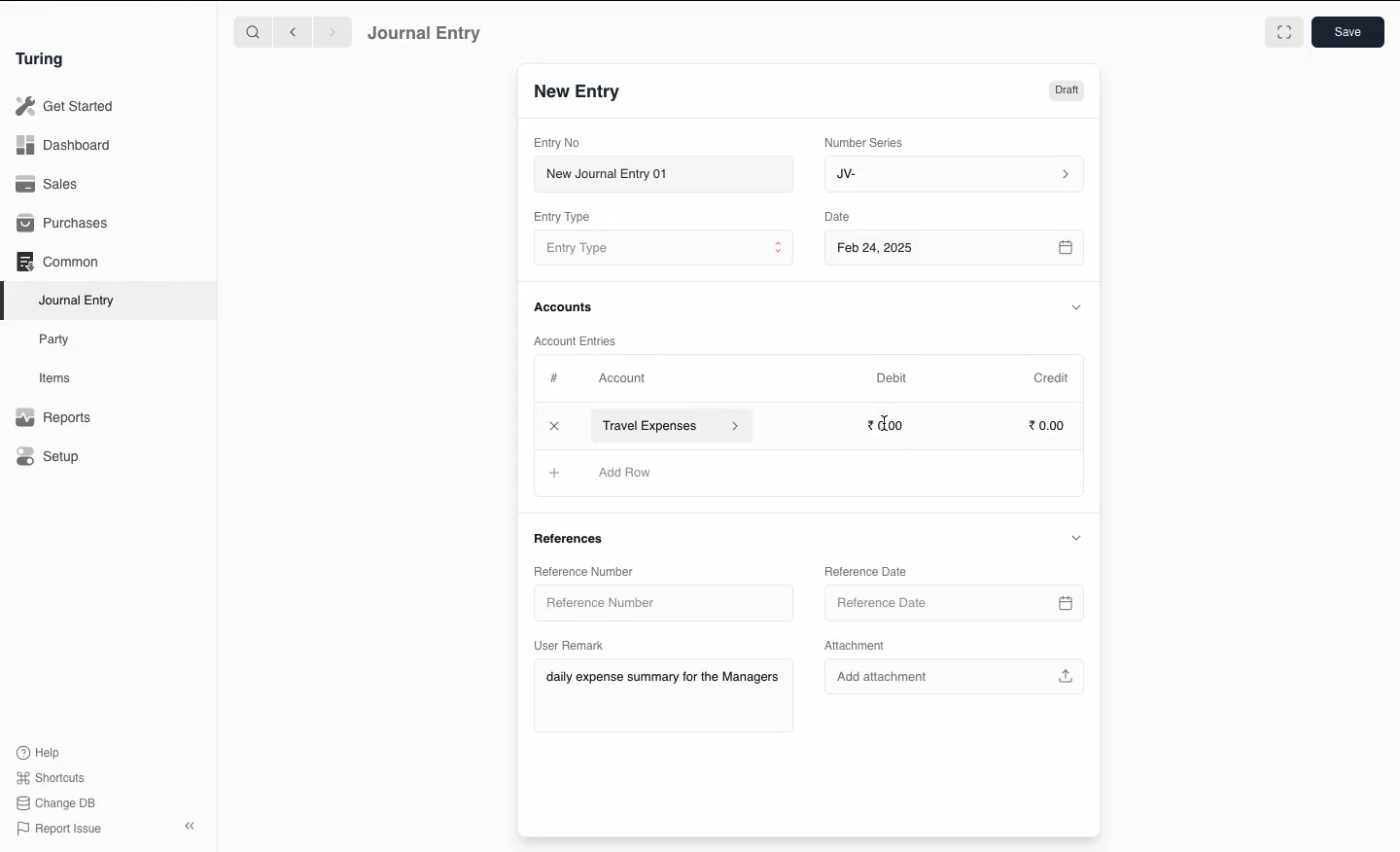  What do you see at coordinates (1053, 378) in the screenshot?
I see `Credit` at bounding box center [1053, 378].